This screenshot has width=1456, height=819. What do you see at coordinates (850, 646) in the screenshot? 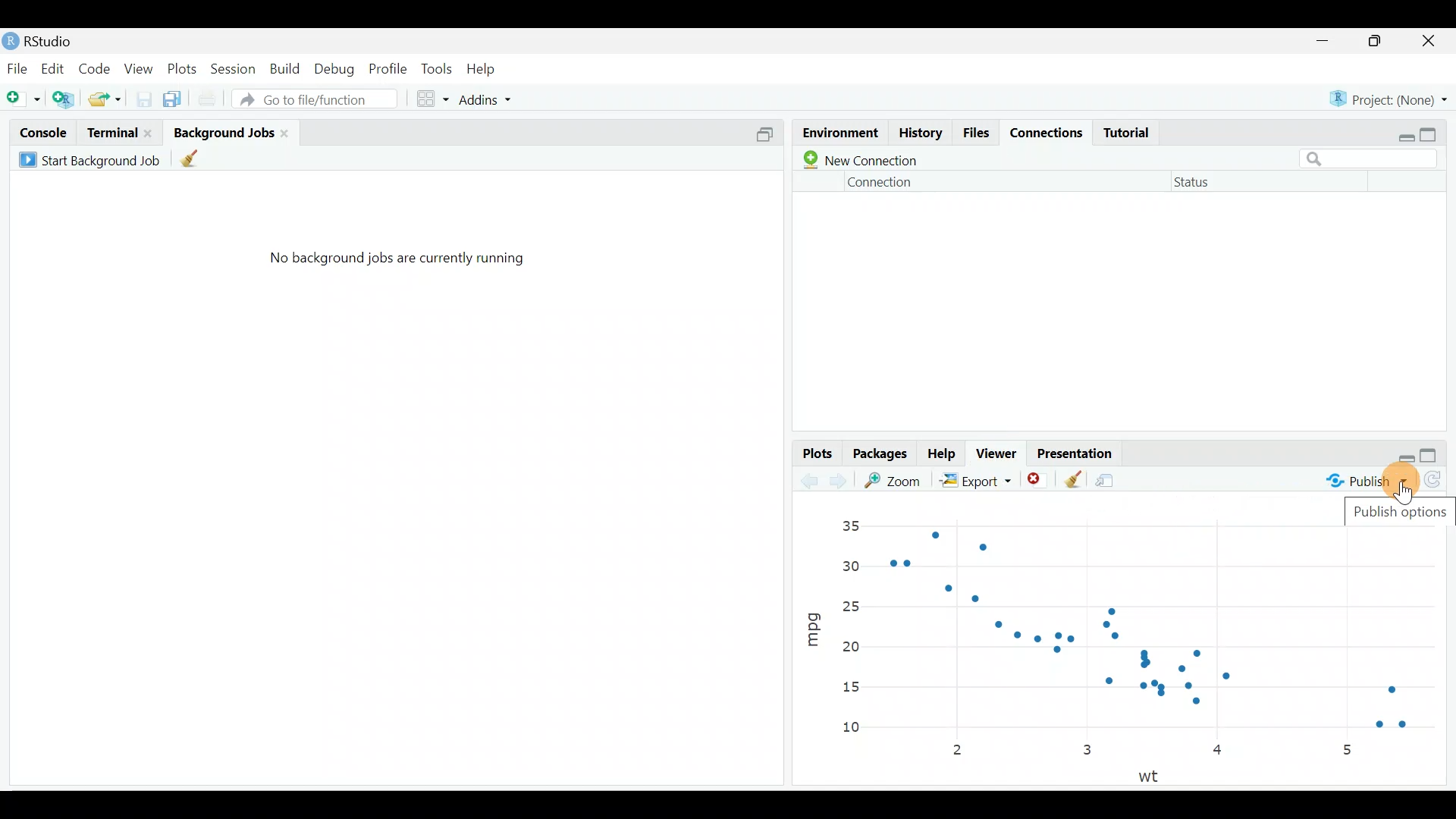
I see `20` at bounding box center [850, 646].